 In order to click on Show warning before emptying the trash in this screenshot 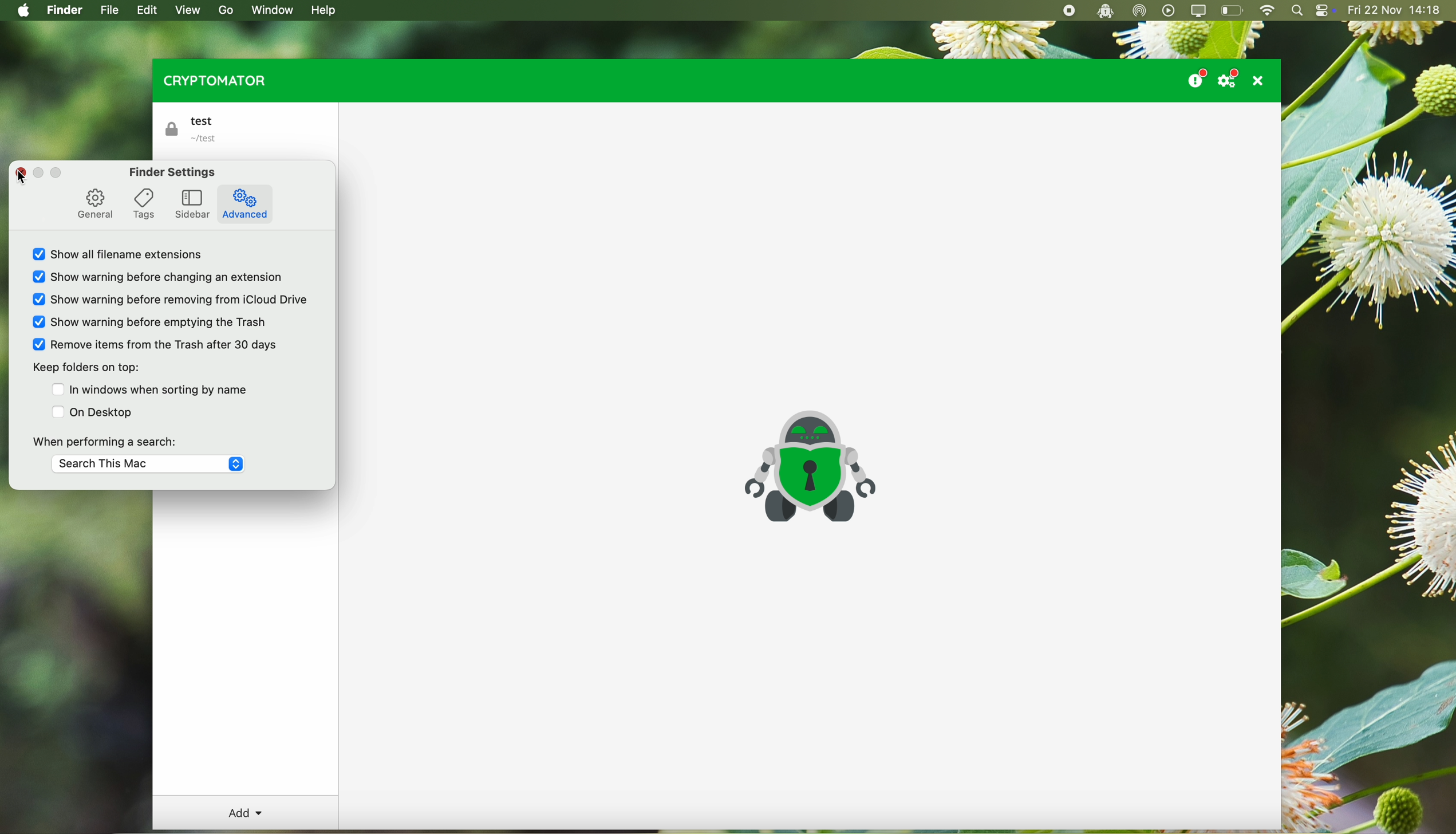, I will do `click(150, 320)`.